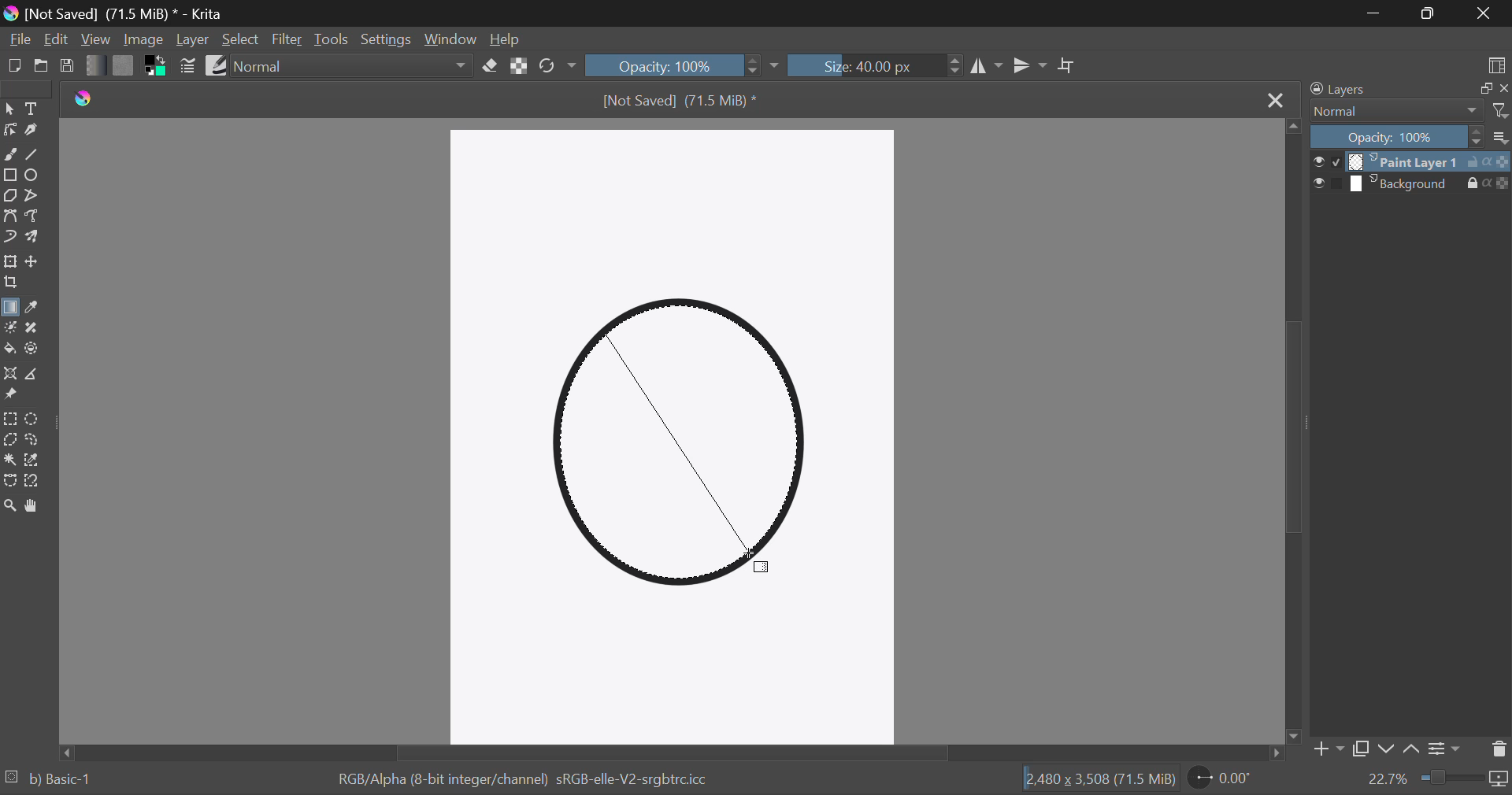 This screenshot has height=795, width=1512. Describe the element at coordinates (1326, 162) in the screenshot. I see `checkbox` at that location.